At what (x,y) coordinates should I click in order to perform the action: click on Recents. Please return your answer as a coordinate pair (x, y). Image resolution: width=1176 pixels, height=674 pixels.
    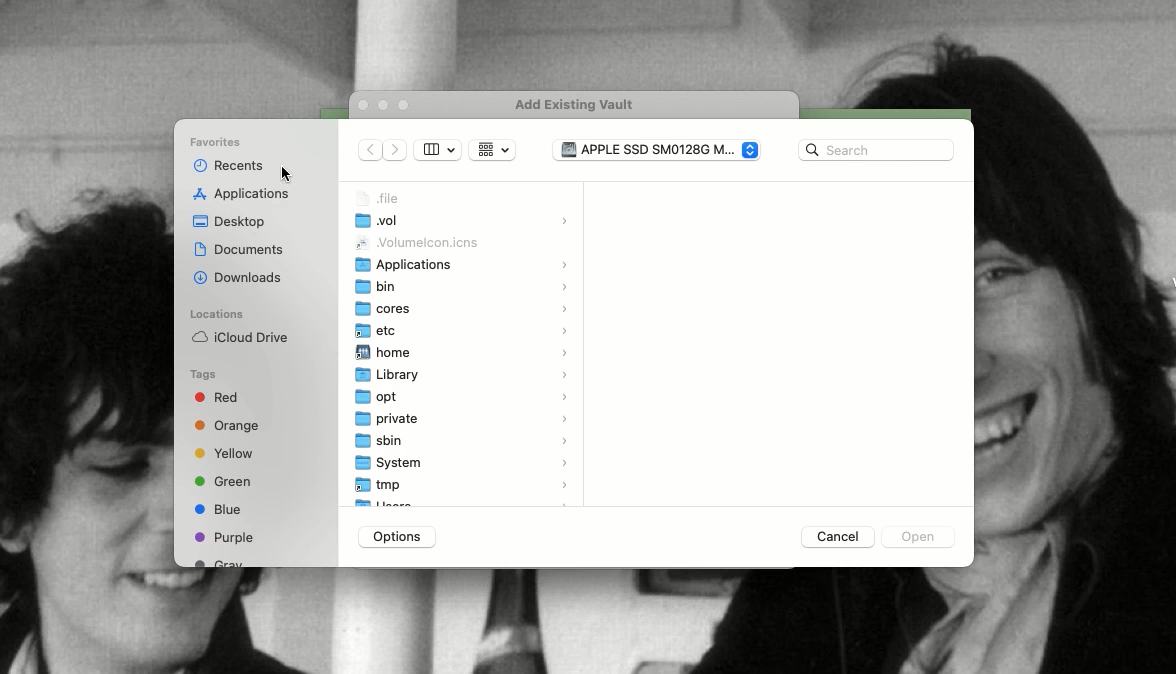
    Looking at the image, I should click on (226, 166).